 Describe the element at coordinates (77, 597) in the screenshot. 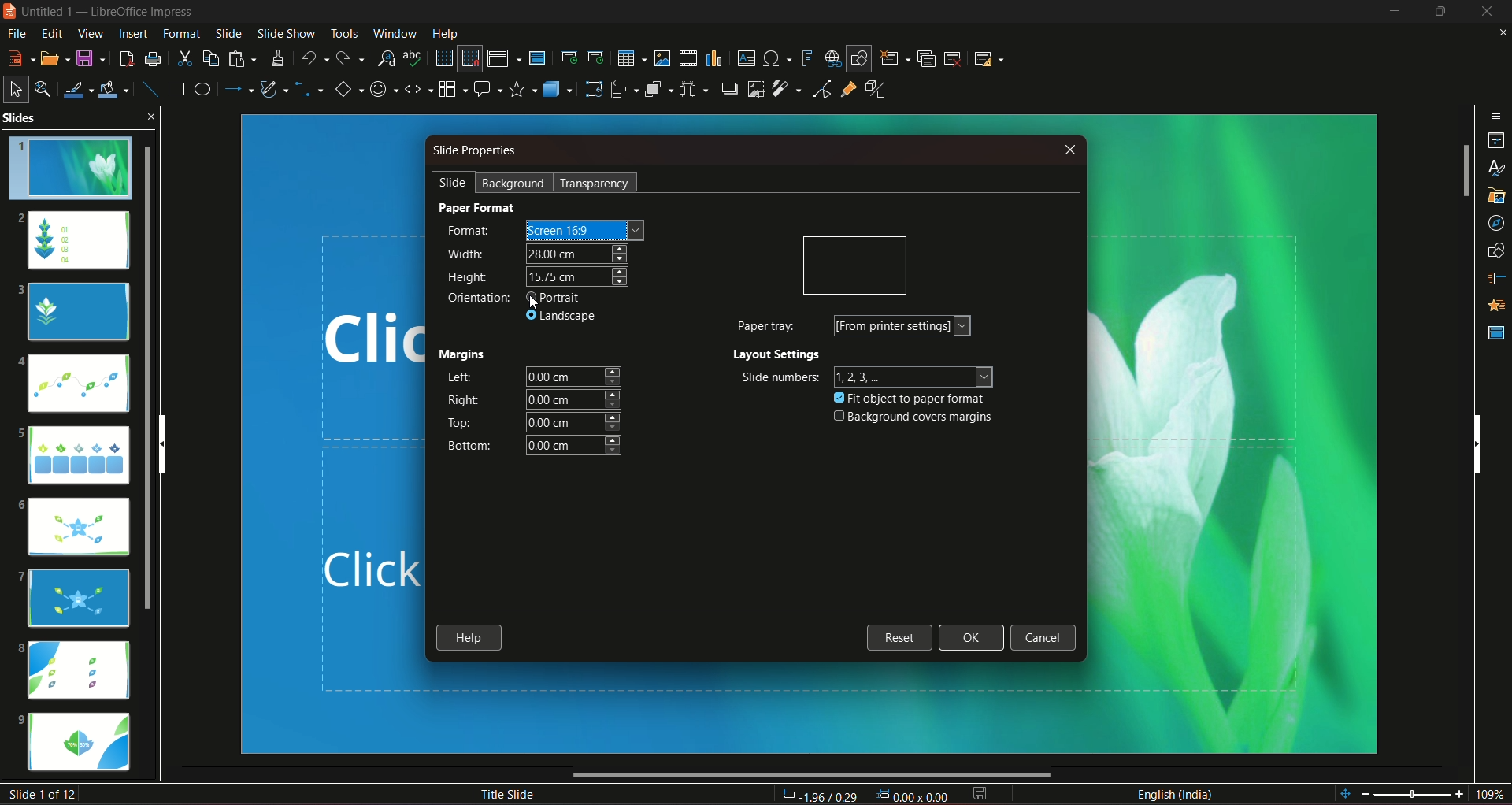

I see `slide 7` at that location.